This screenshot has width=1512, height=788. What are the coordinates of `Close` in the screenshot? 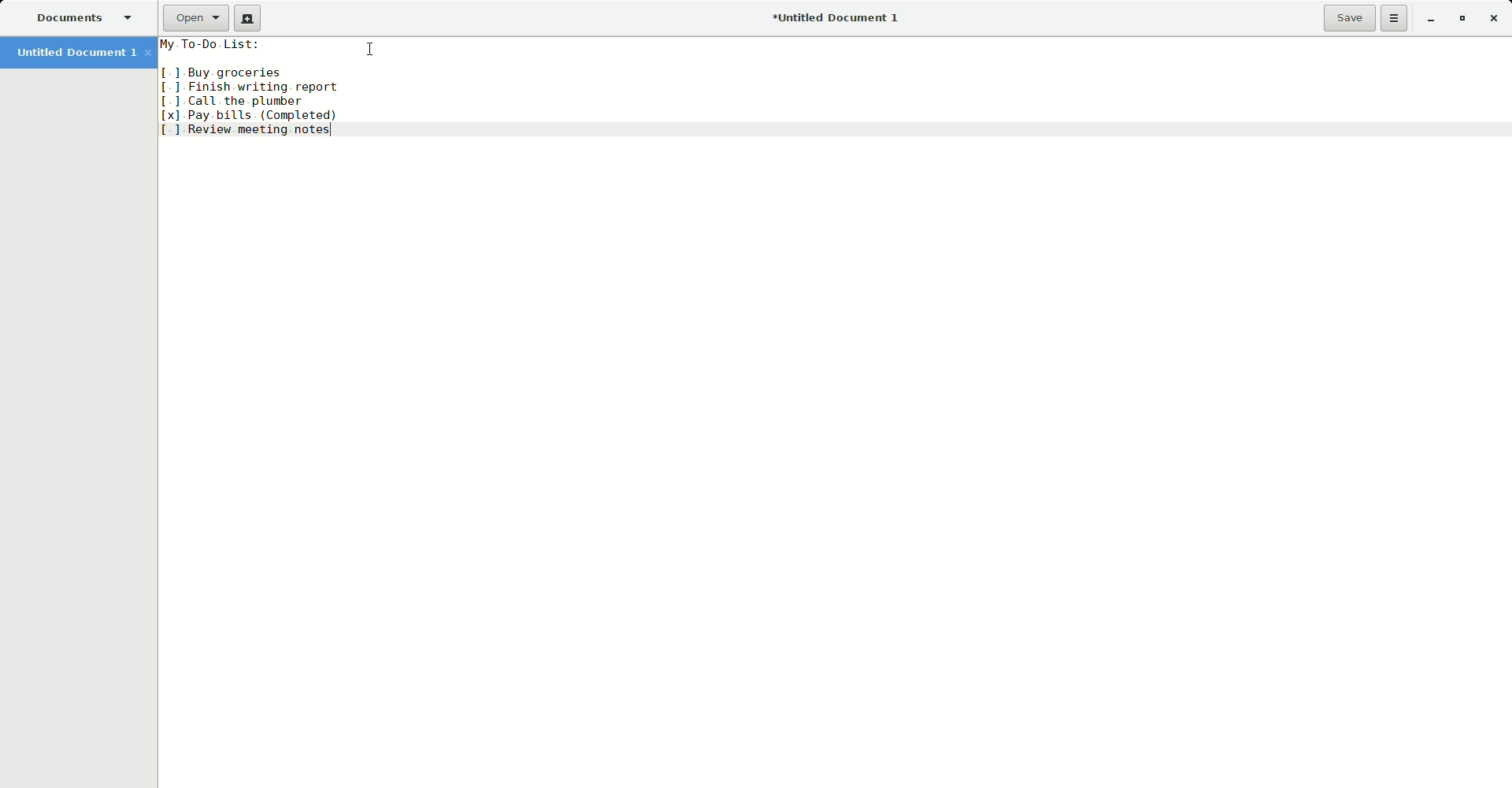 It's located at (1494, 18).